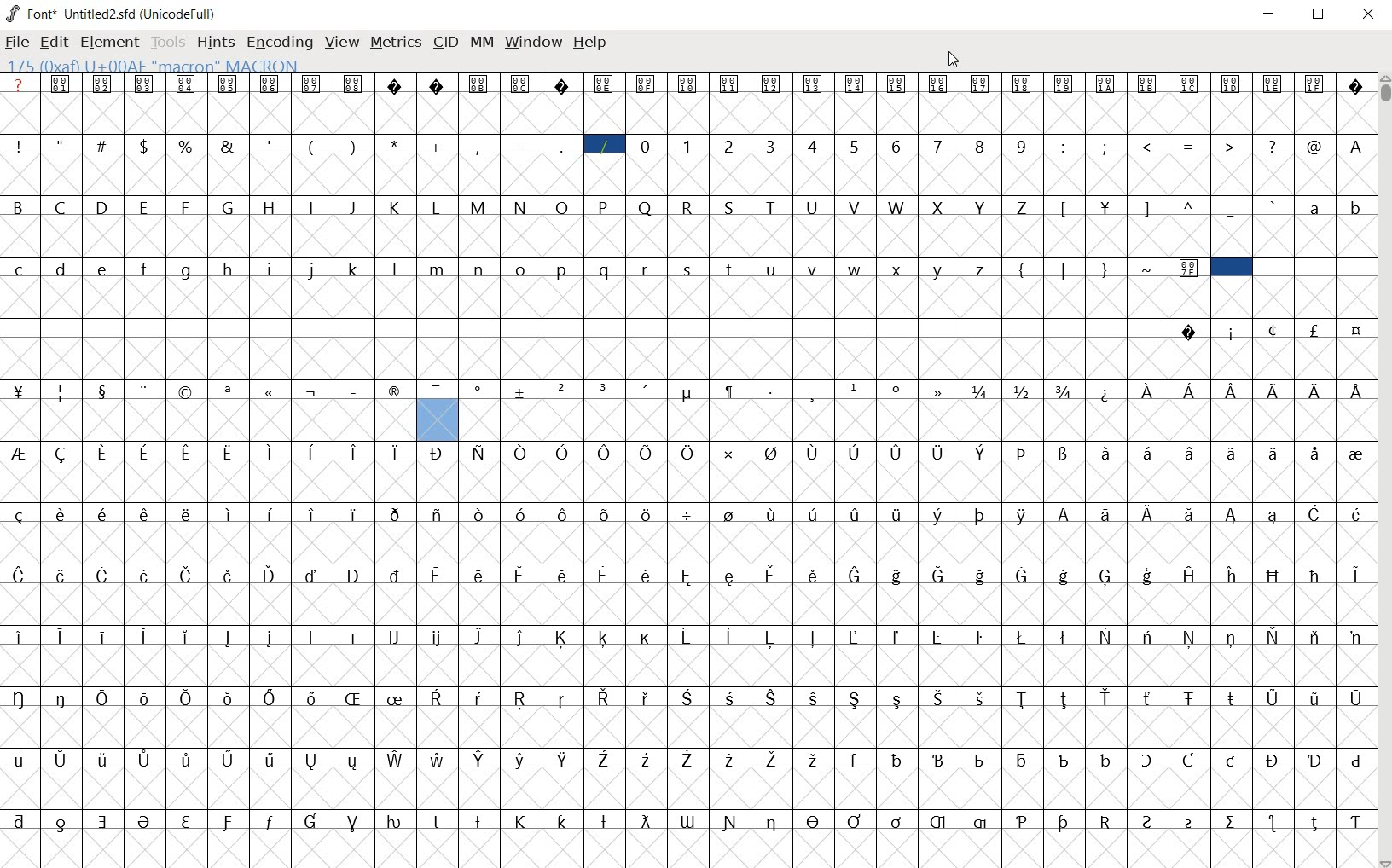 This screenshot has width=1392, height=868. I want to click on Symbol, so click(606, 698).